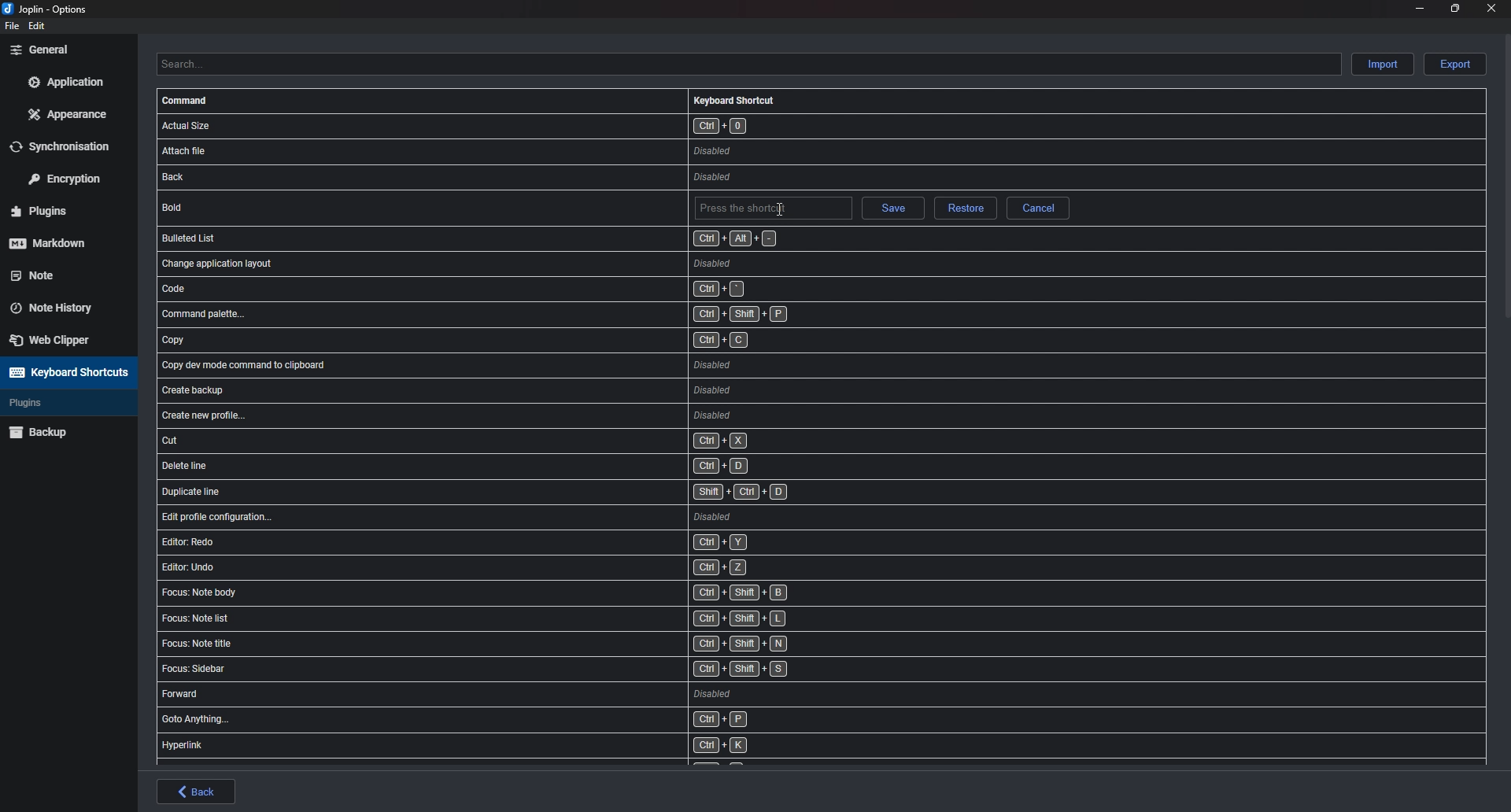 The image size is (1511, 812). What do you see at coordinates (1455, 8) in the screenshot?
I see `Resize` at bounding box center [1455, 8].